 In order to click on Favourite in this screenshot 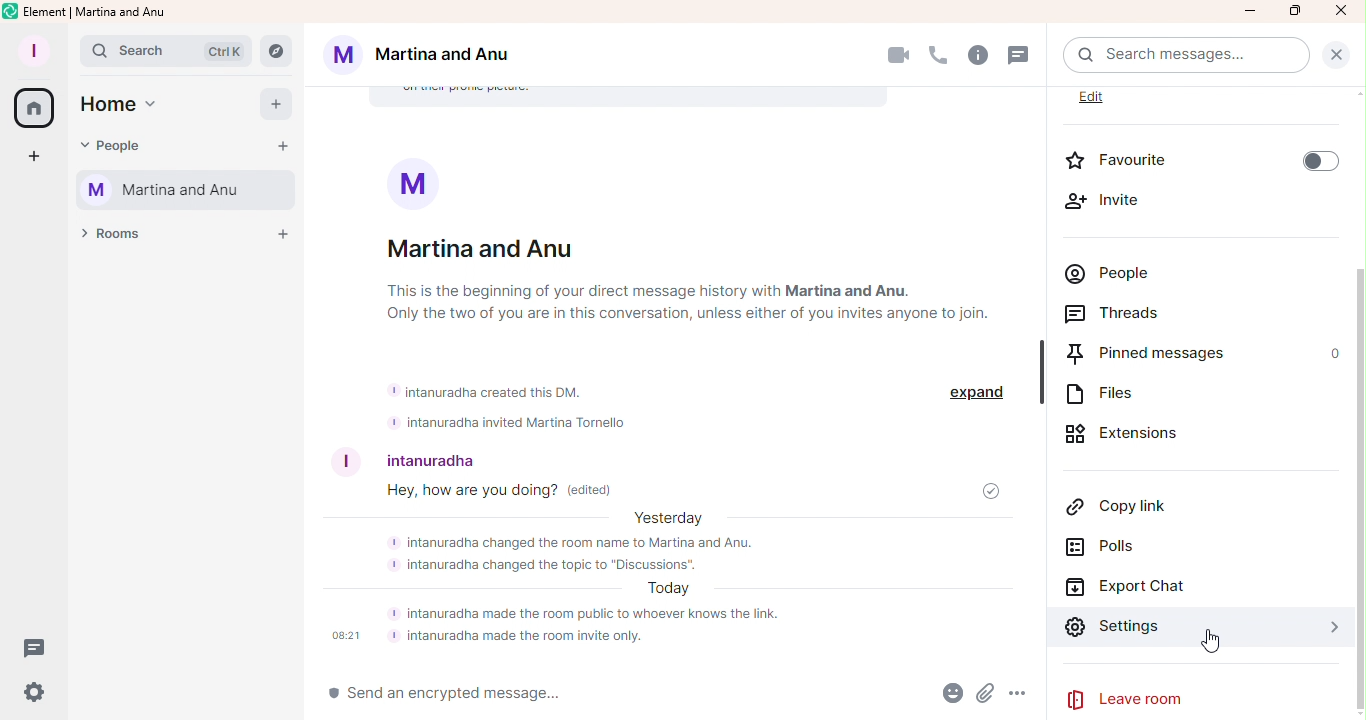, I will do `click(1206, 157)`.